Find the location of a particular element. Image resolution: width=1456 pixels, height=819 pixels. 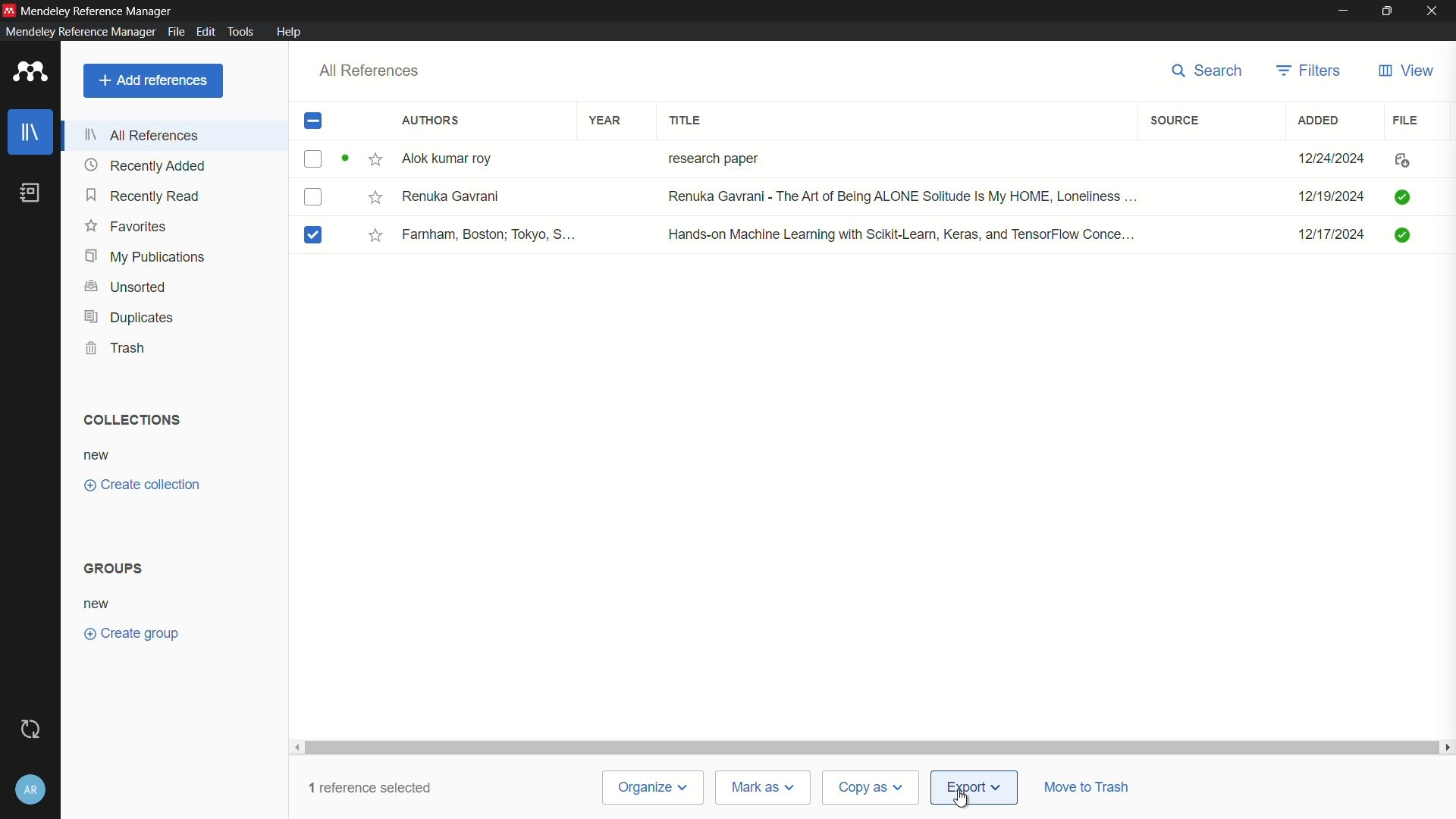

organize is located at coordinates (654, 789).